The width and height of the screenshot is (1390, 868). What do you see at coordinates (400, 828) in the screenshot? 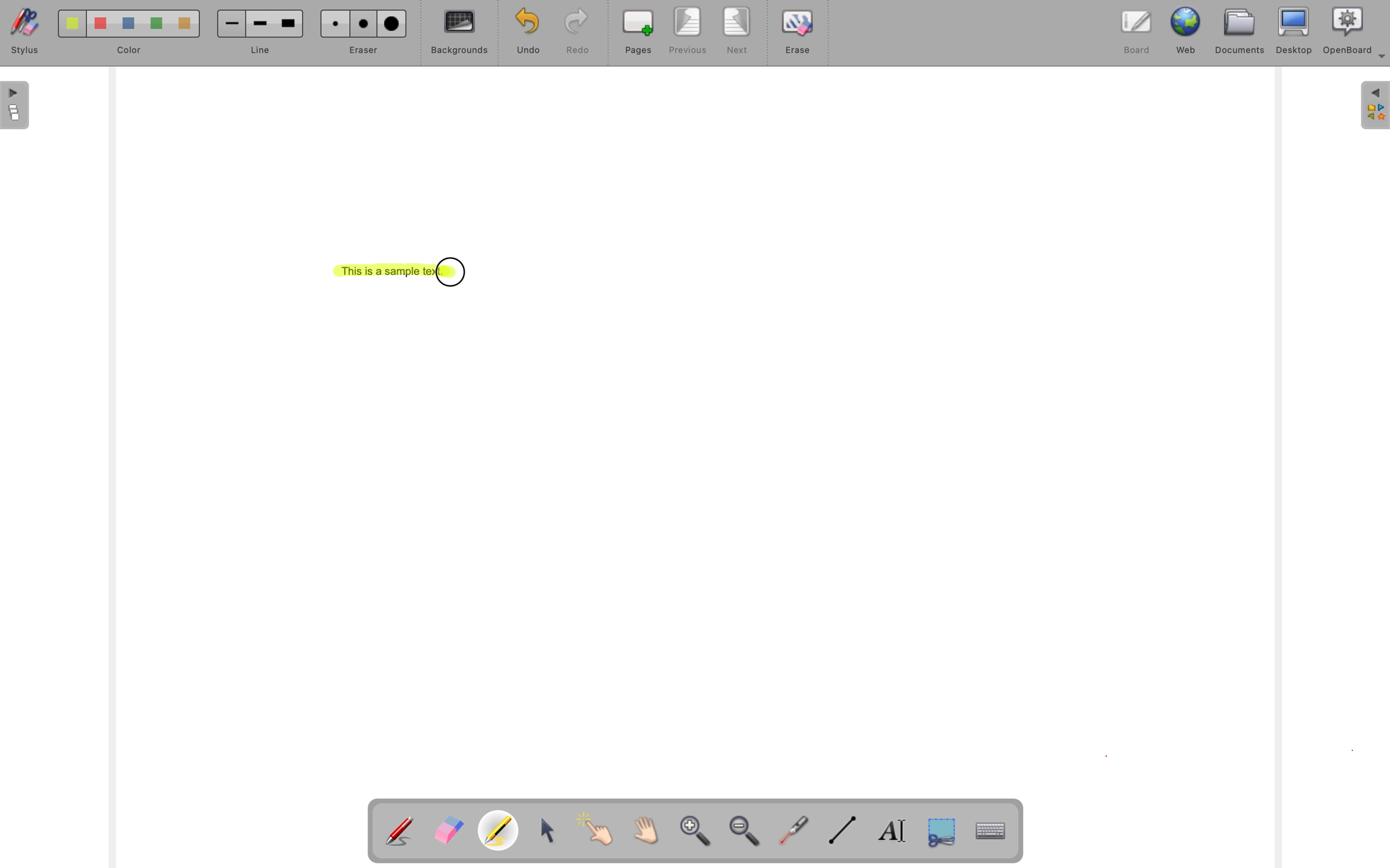
I see `Annotate document` at bounding box center [400, 828].